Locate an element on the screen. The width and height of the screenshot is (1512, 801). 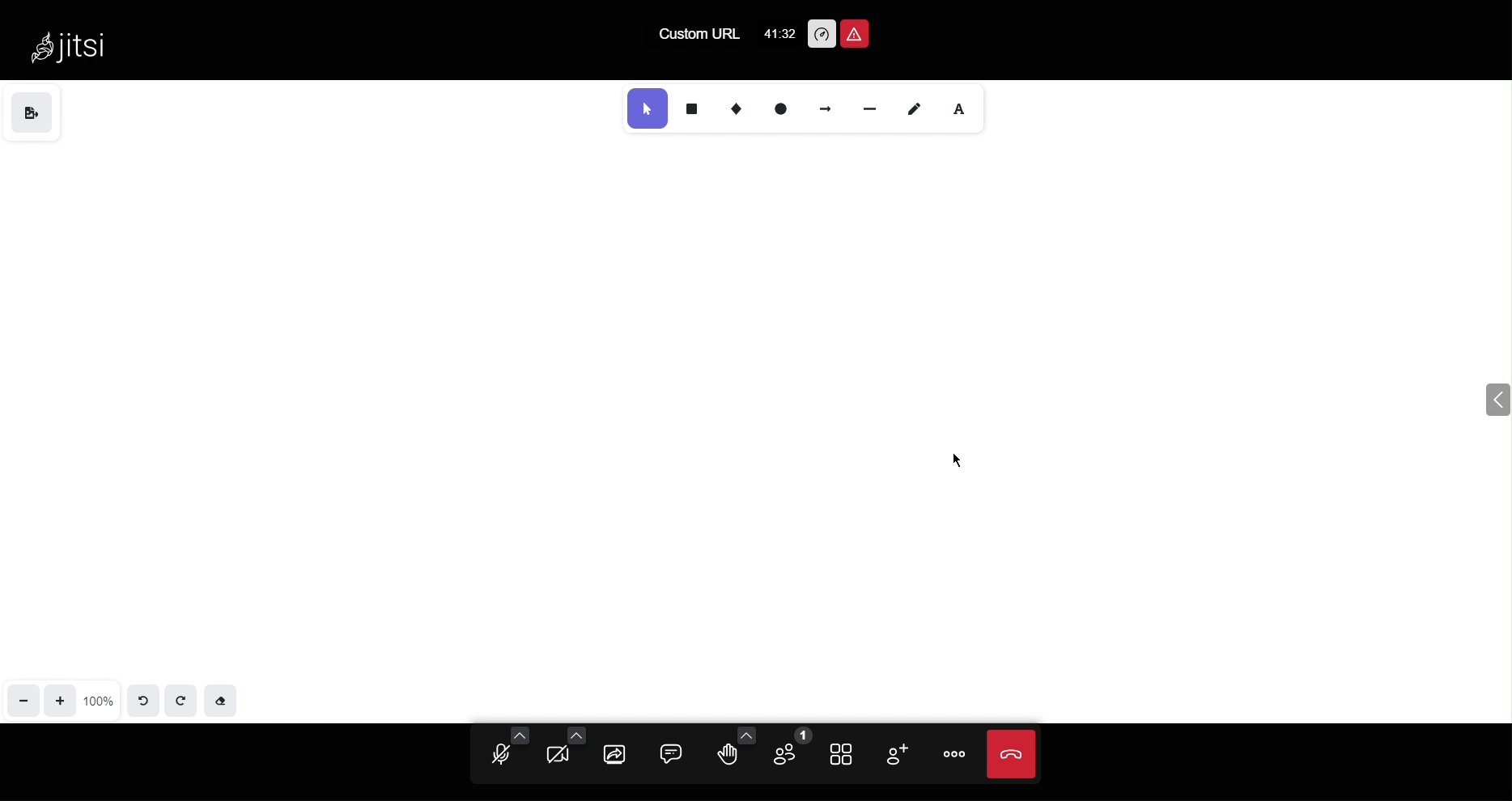
41:32 is located at coordinates (779, 30).